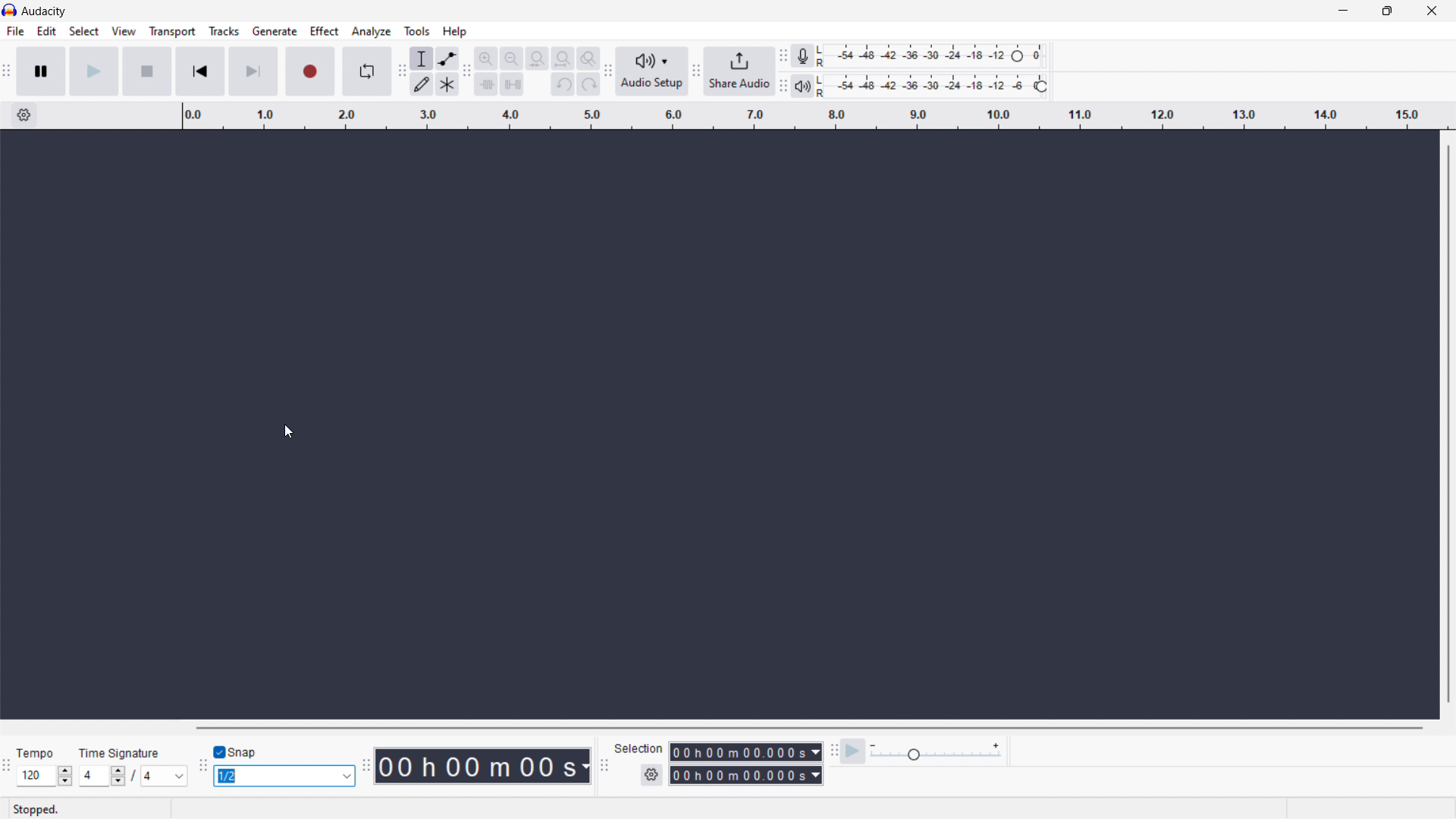 The width and height of the screenshot is (1456, 819). What do you see at coordinates (511, 85) in the screenshot?
I see `silence audio selection` at bounding box center [511, 85].